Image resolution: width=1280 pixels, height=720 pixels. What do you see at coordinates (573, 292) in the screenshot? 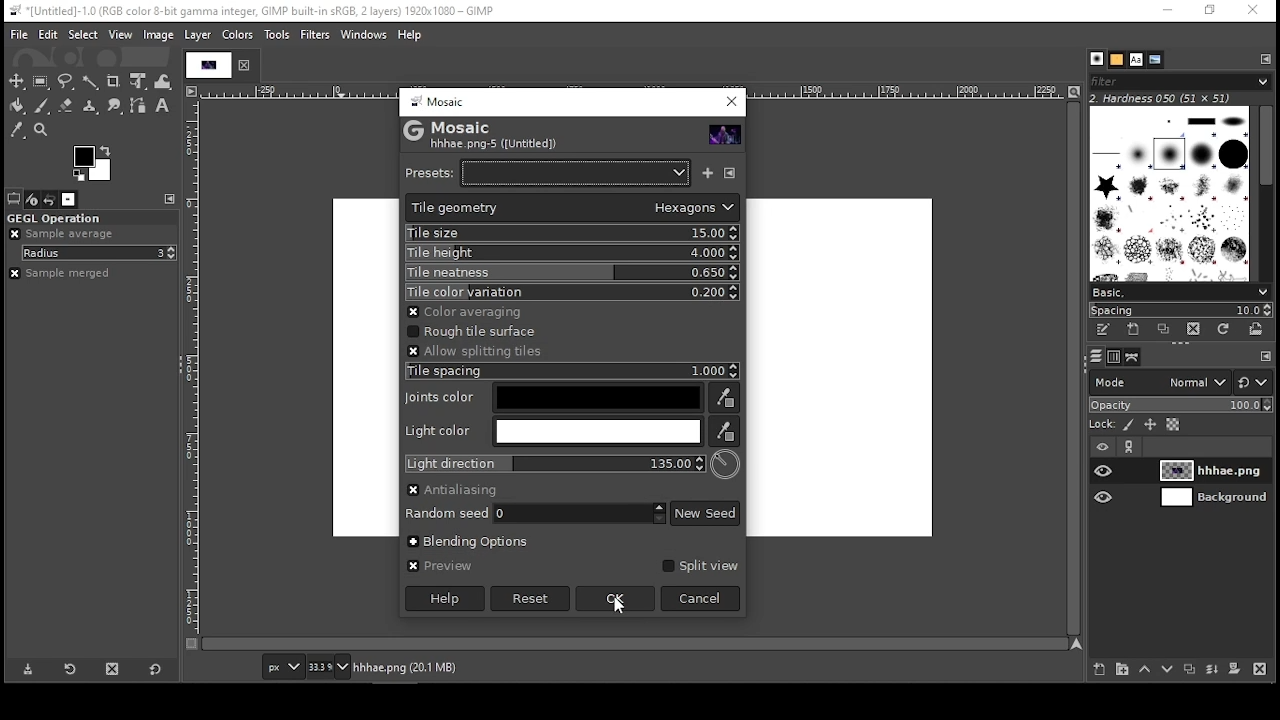
I see `tile color bvariation` at bounding box center [573, 292].